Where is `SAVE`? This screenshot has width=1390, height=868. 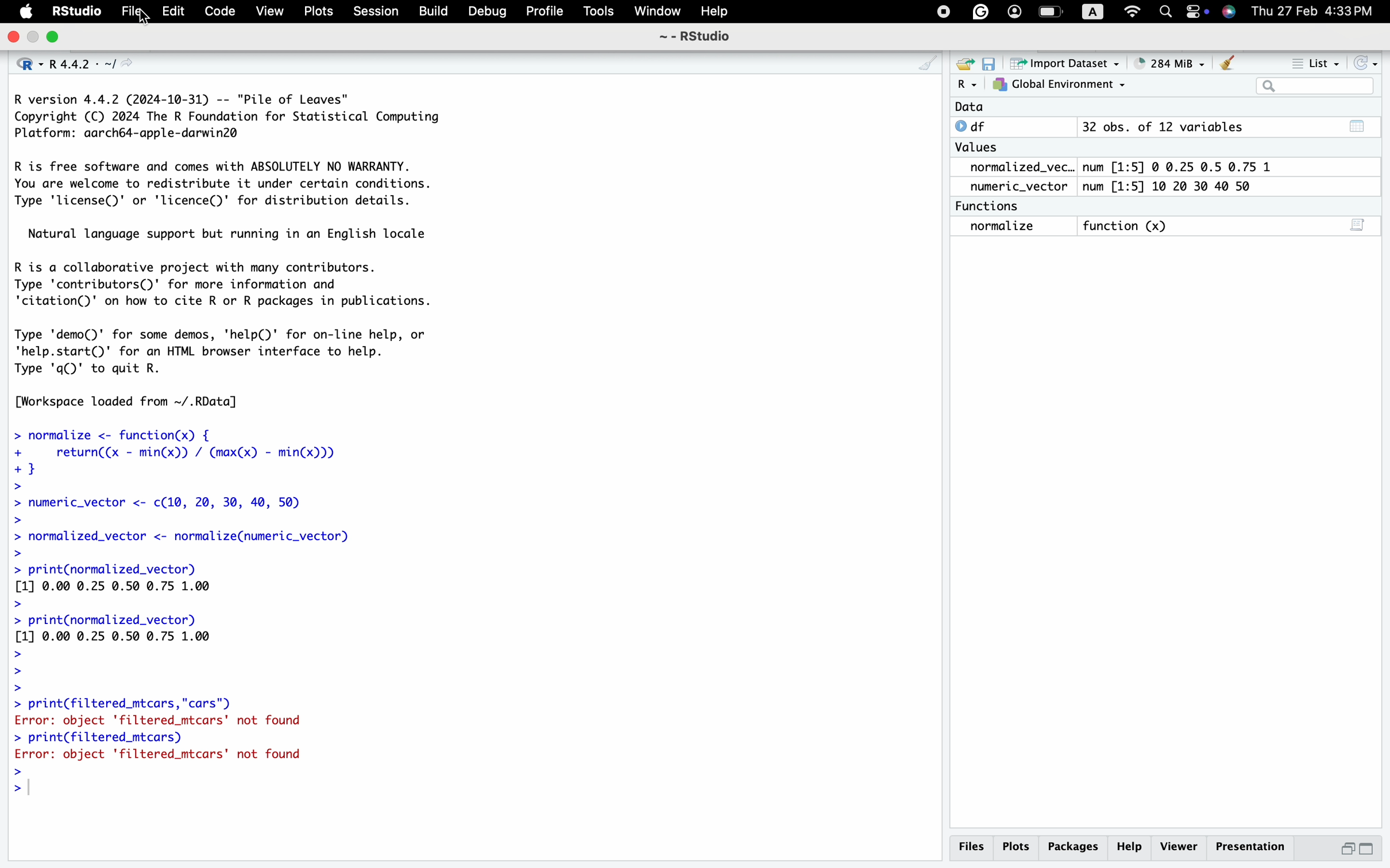
SAVE is located at coordinates (989, 64).